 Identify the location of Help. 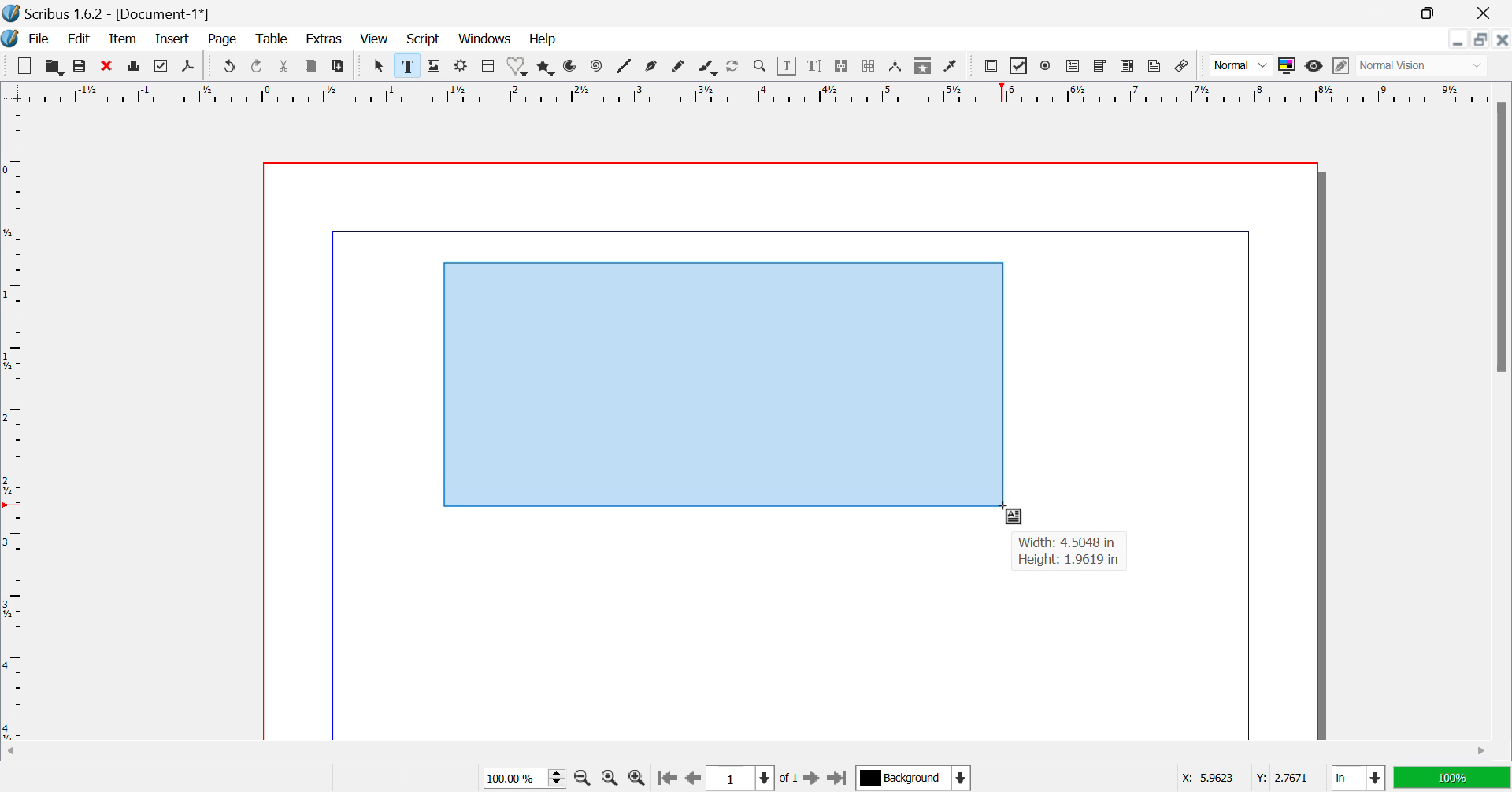
(543, 40).